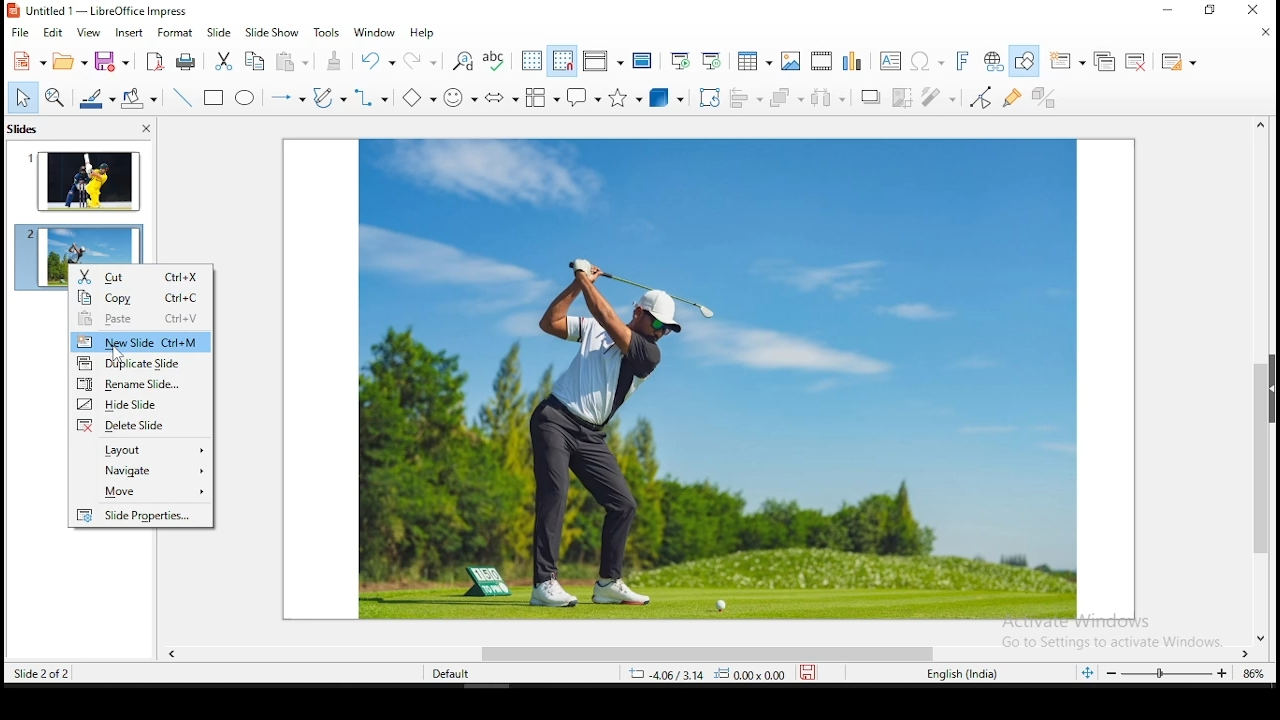  What do you see at coordinates (421, 62) in the screenshot?
I see `redo` at bounding box center [421, 62].